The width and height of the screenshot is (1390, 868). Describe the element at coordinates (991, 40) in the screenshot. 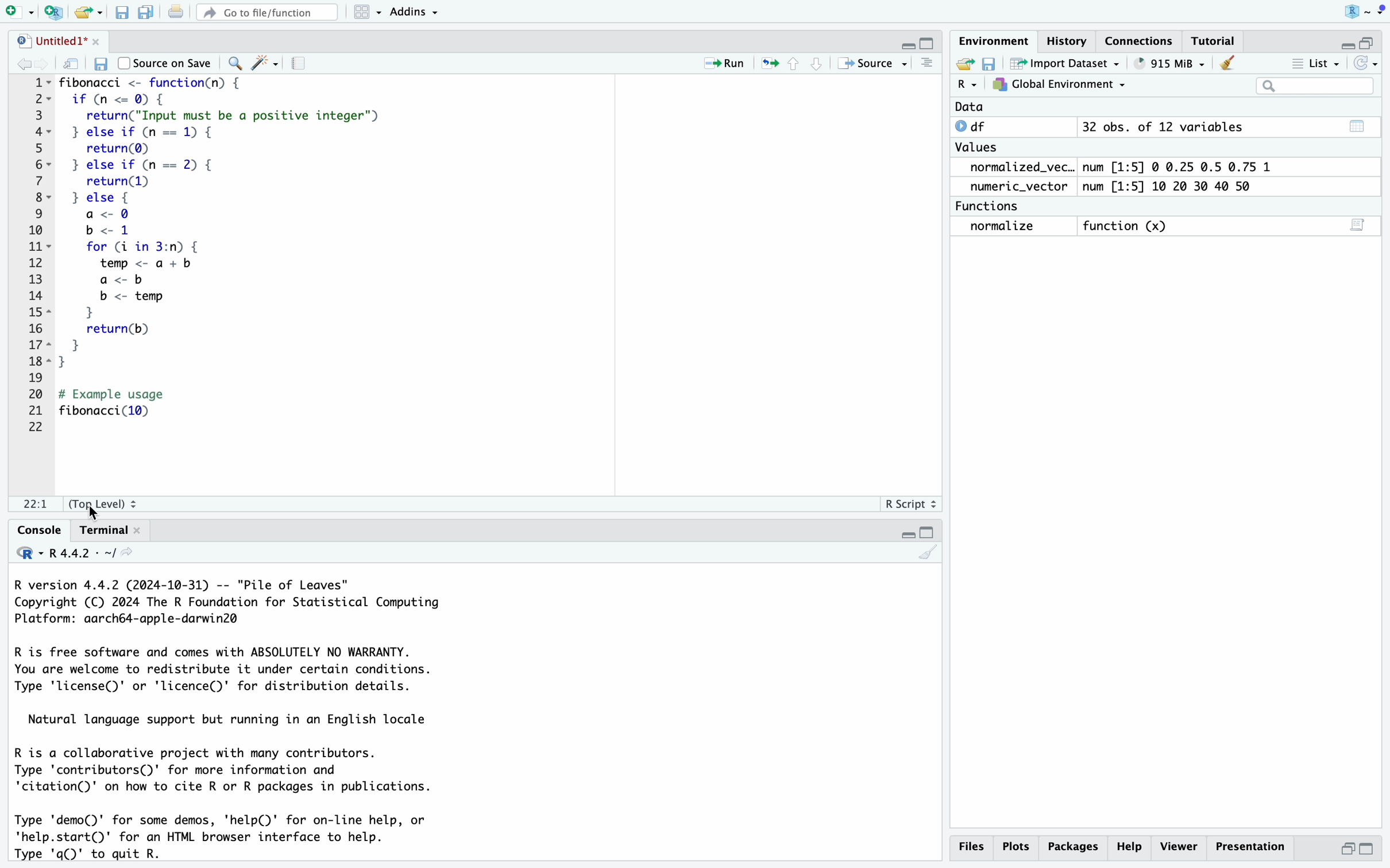

I see `environment` at that location.